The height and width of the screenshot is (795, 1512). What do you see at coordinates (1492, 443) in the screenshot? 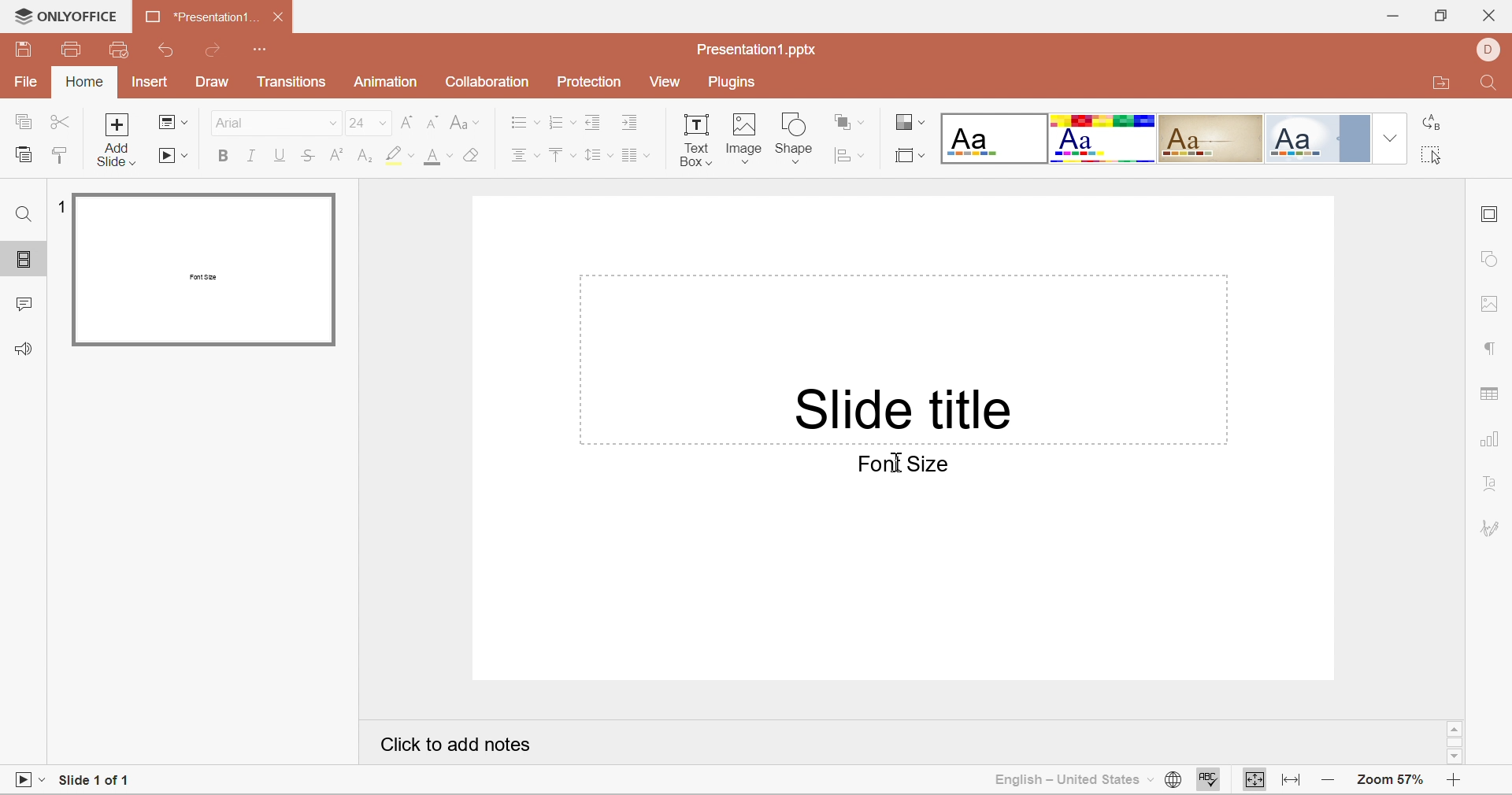
I see `chart settings` at bounding box center [1492, 443].